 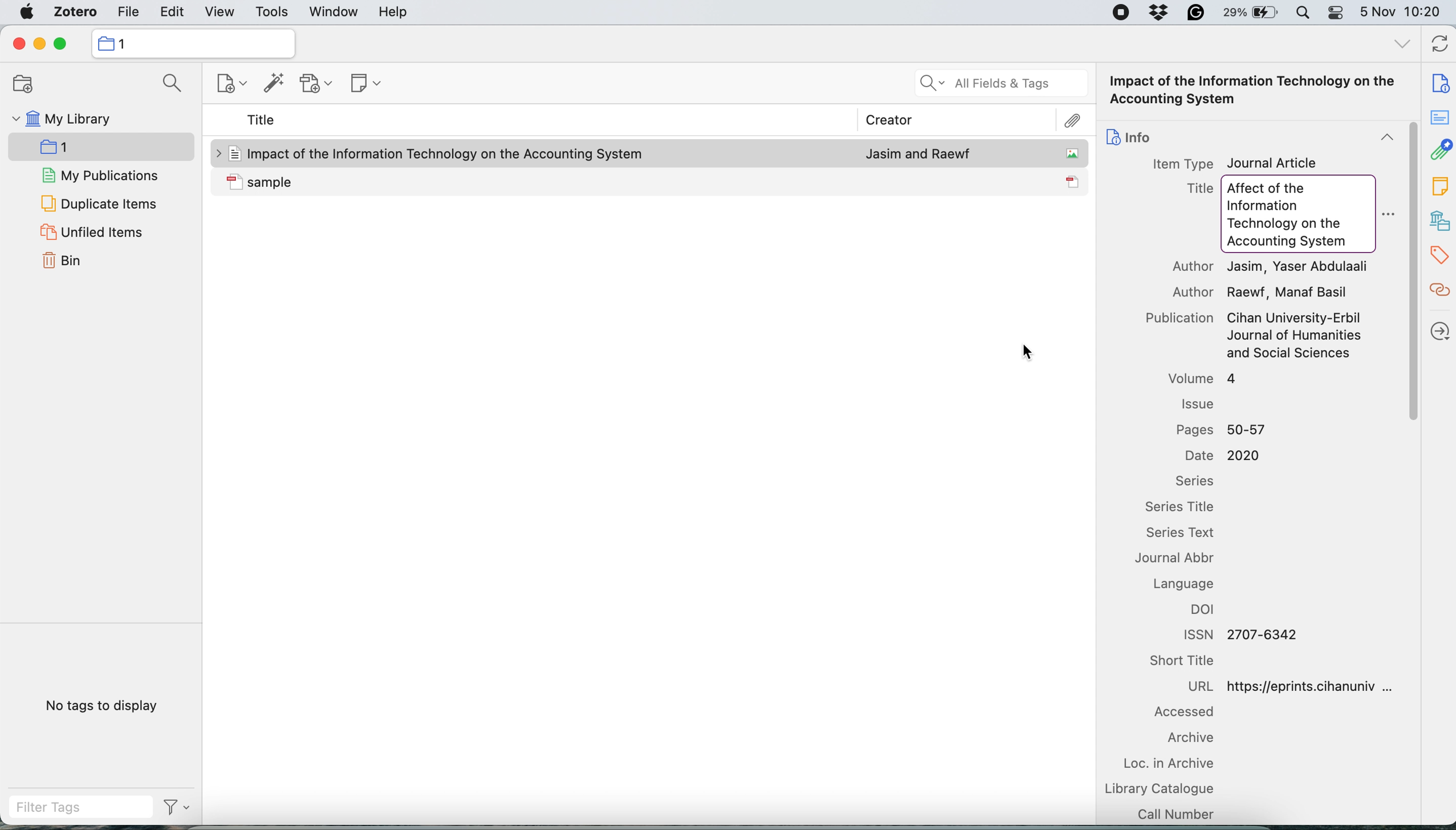 What do you see at coordinates (61, 44) in the screenshot?
I see `maximise` at bounding box center [61, 44].